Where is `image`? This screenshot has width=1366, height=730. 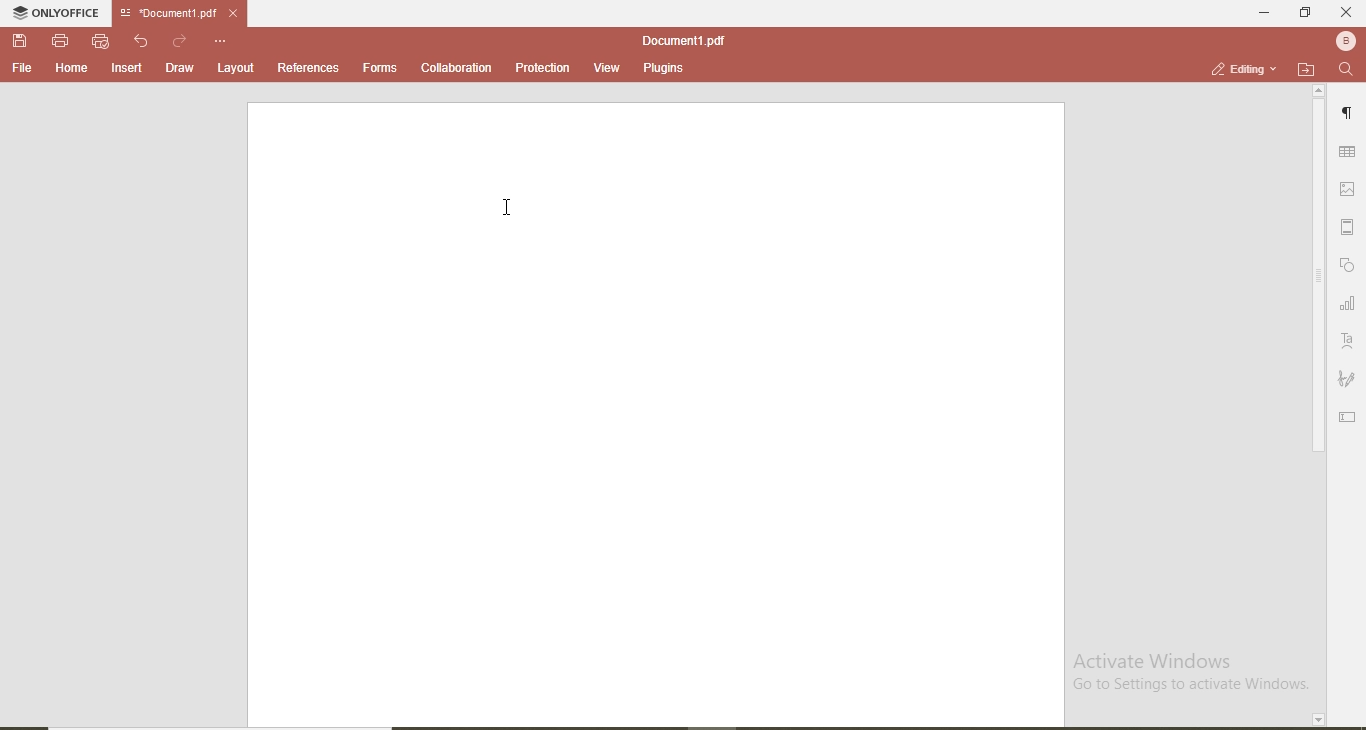 image is located at coordinates (1350, 191).